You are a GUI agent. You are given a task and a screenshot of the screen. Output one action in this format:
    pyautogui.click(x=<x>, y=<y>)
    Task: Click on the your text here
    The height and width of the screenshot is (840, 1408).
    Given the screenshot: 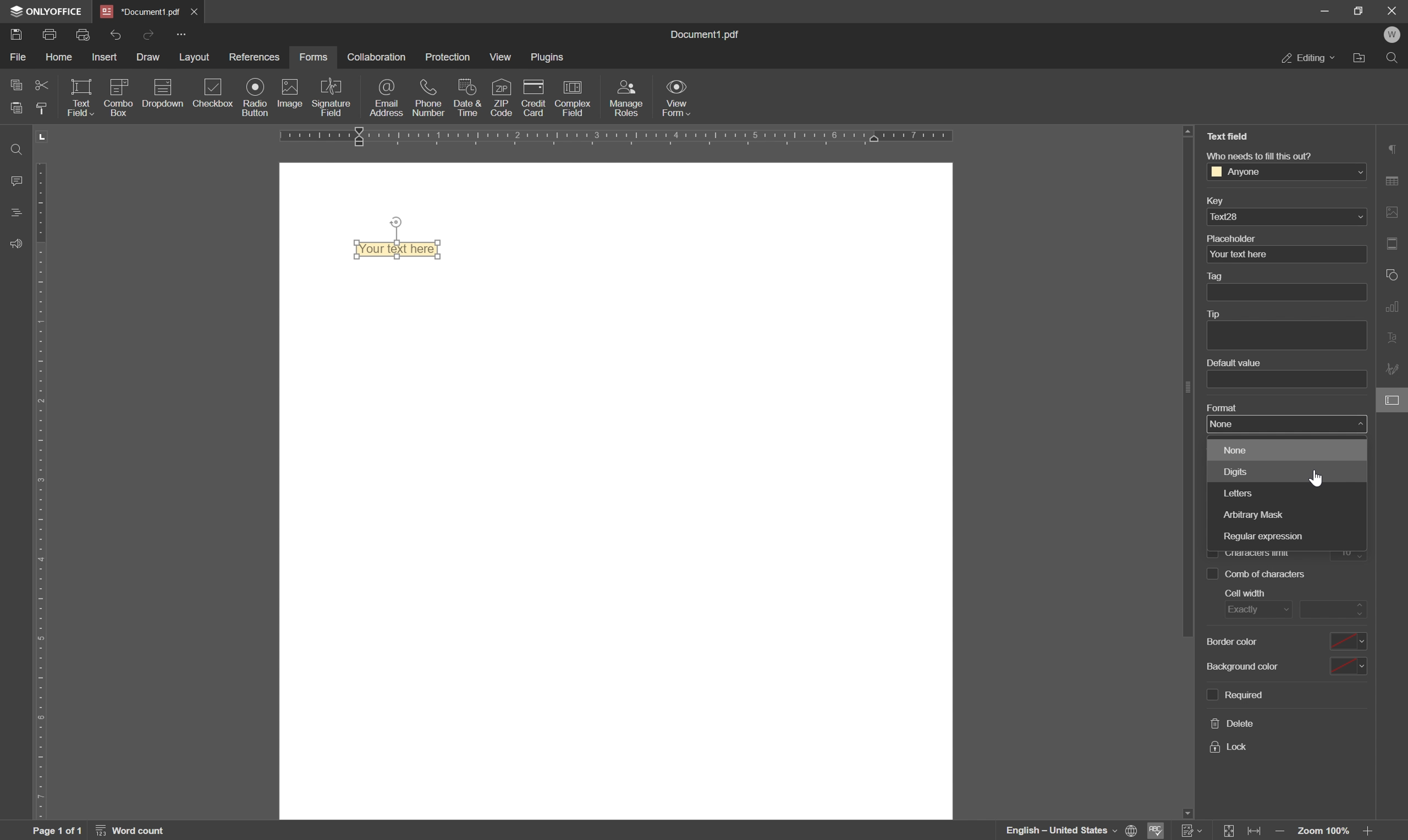 What is the action you would take?
    pyautogui.click(x=1283, y=255)
    